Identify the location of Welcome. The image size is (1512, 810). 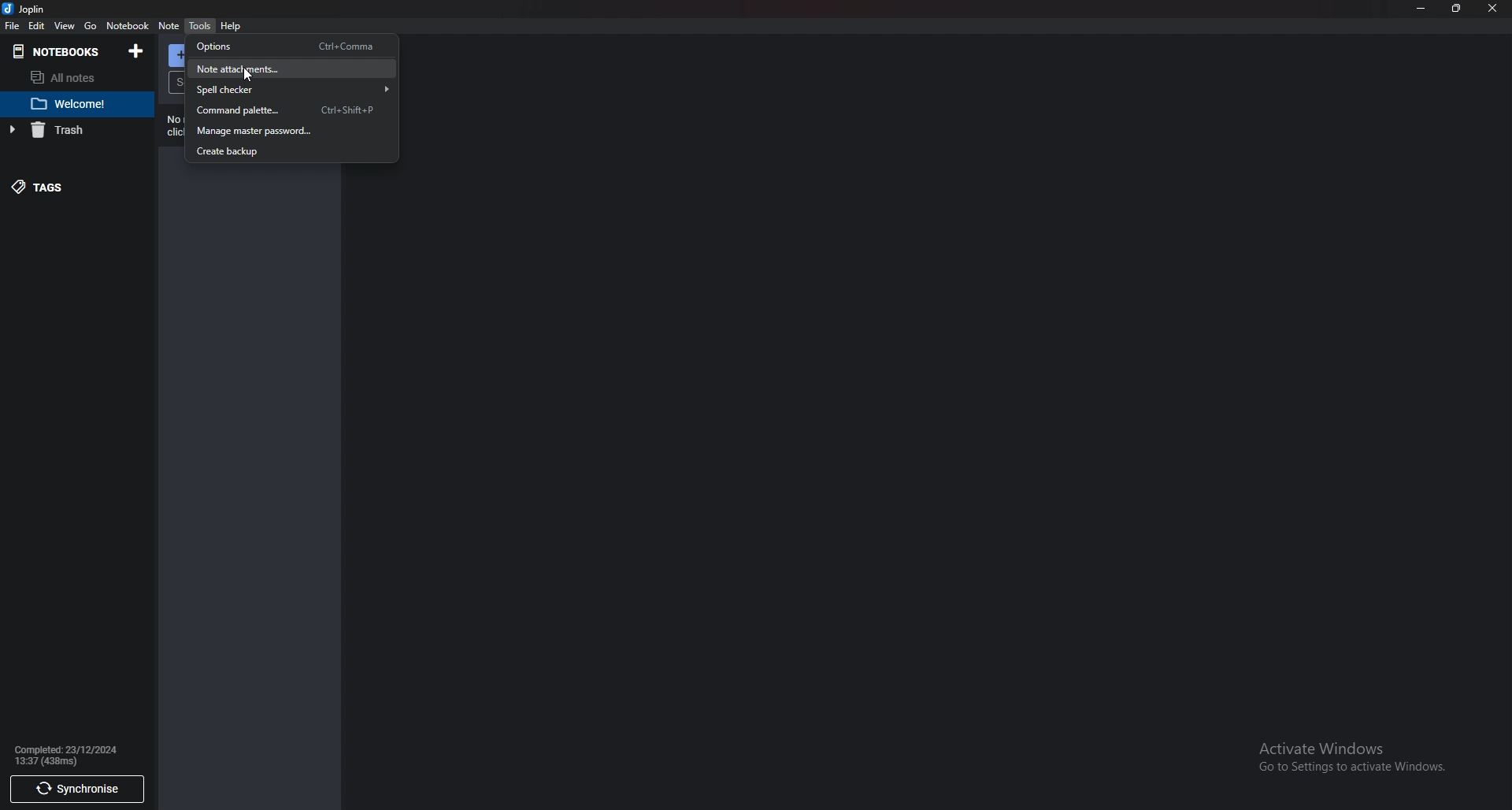
(71, 104).